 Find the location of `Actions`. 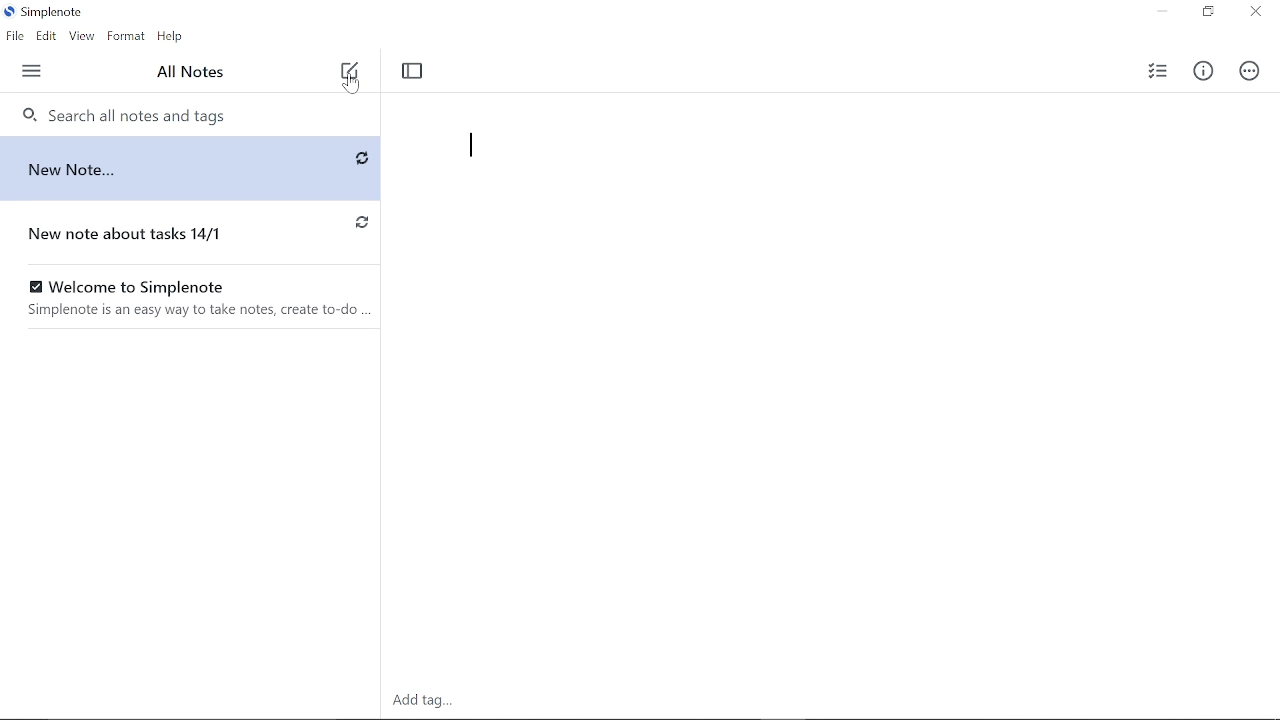

Actions is located at coordinates (1247, 71).